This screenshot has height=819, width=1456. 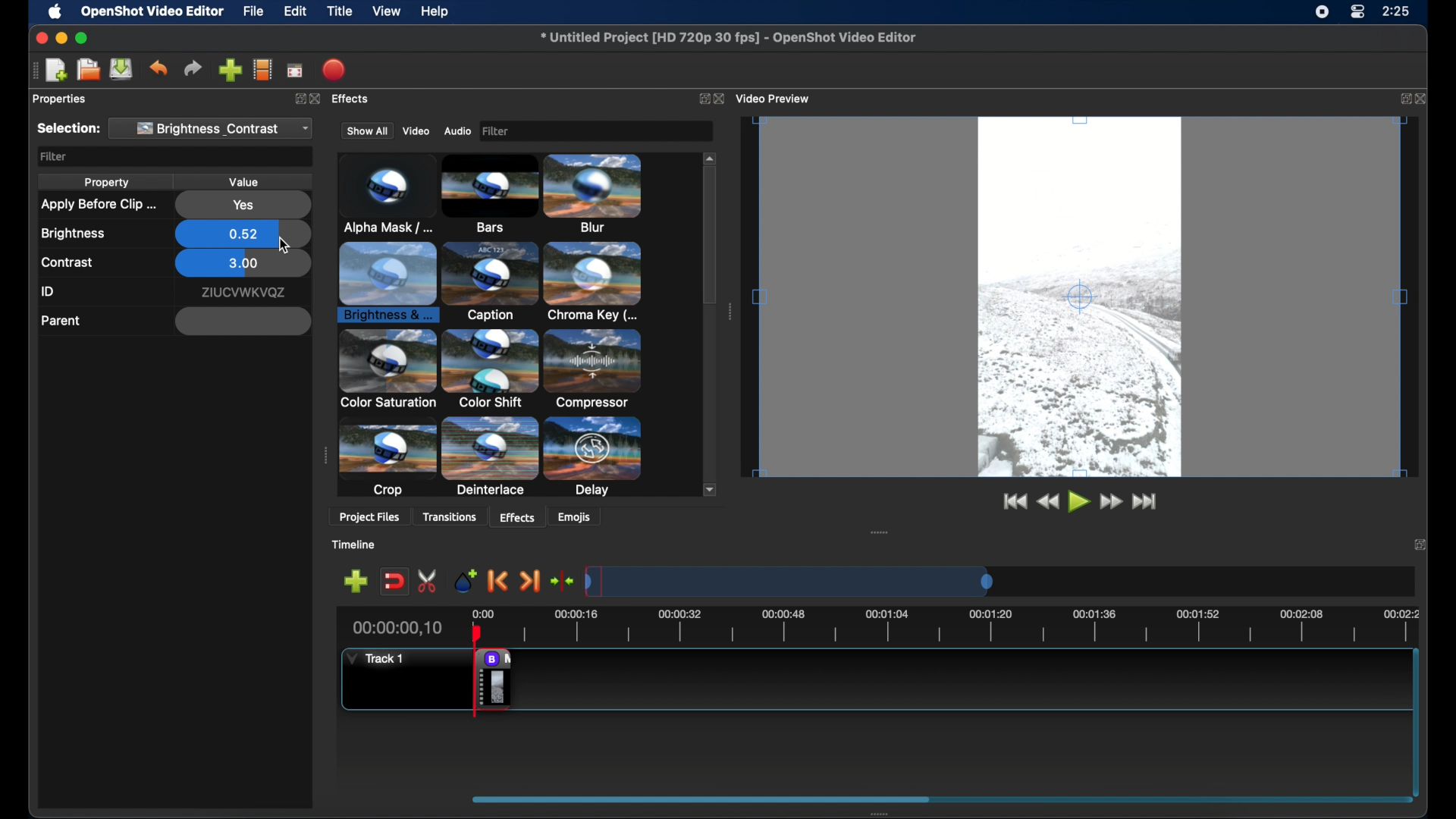 I want to click on export video, so click(x=334, y=69).